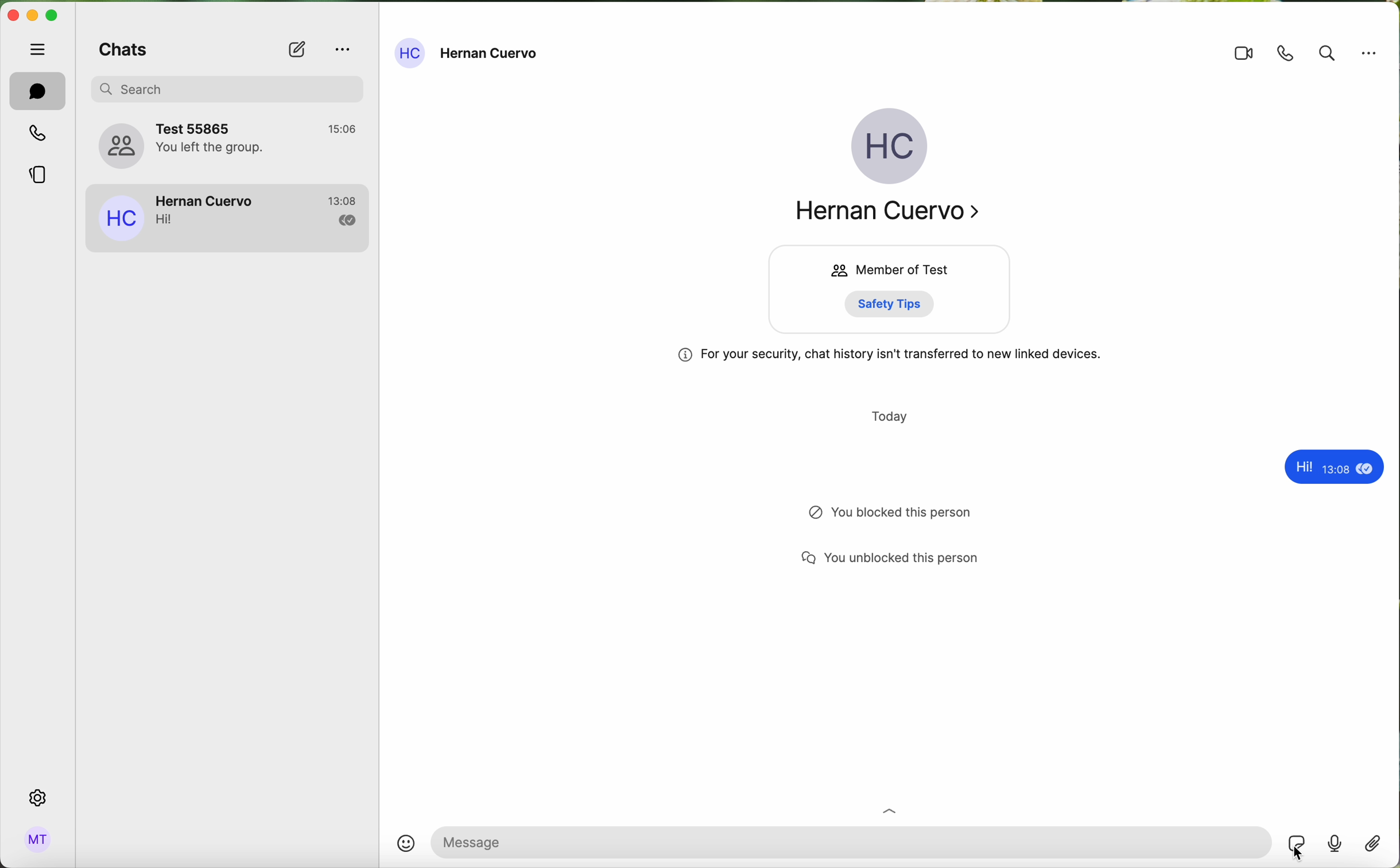  I want to click on name of contact, so click(469, 53).